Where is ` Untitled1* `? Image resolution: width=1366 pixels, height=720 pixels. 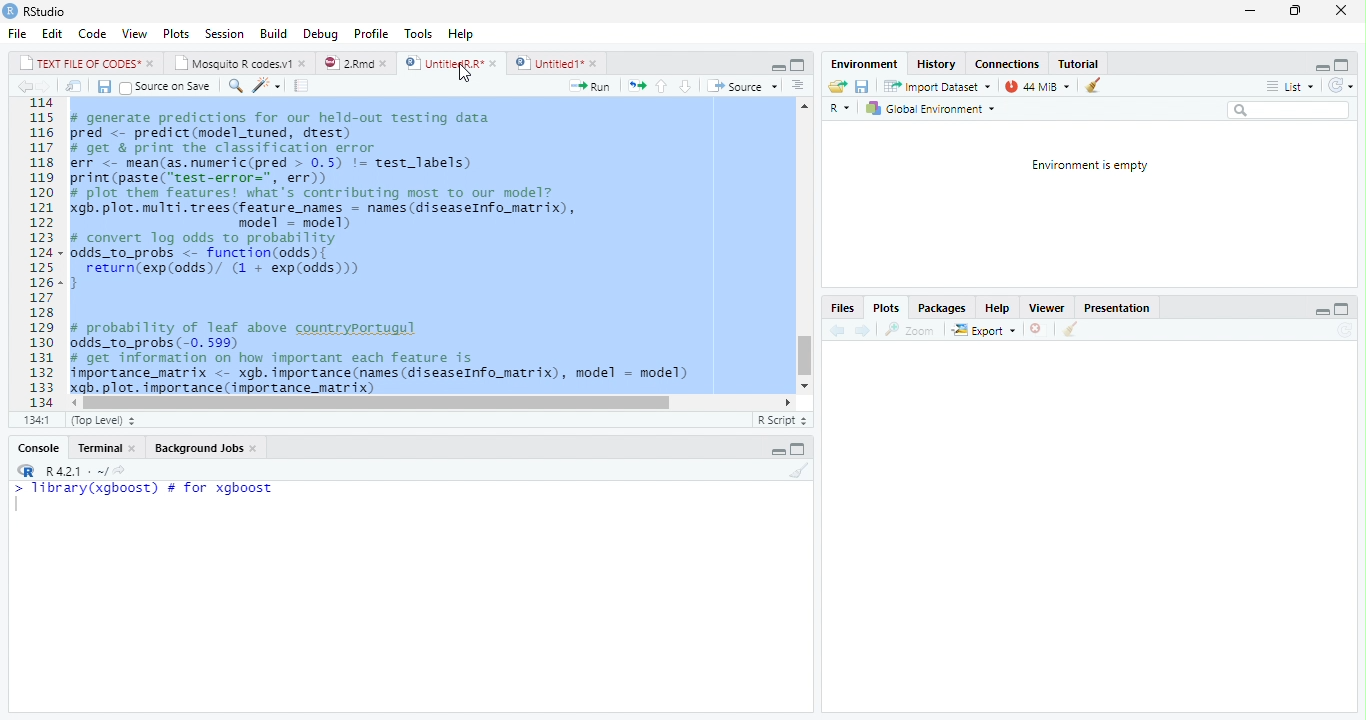
 Untitled1*  is located at coordinates (557, 62).